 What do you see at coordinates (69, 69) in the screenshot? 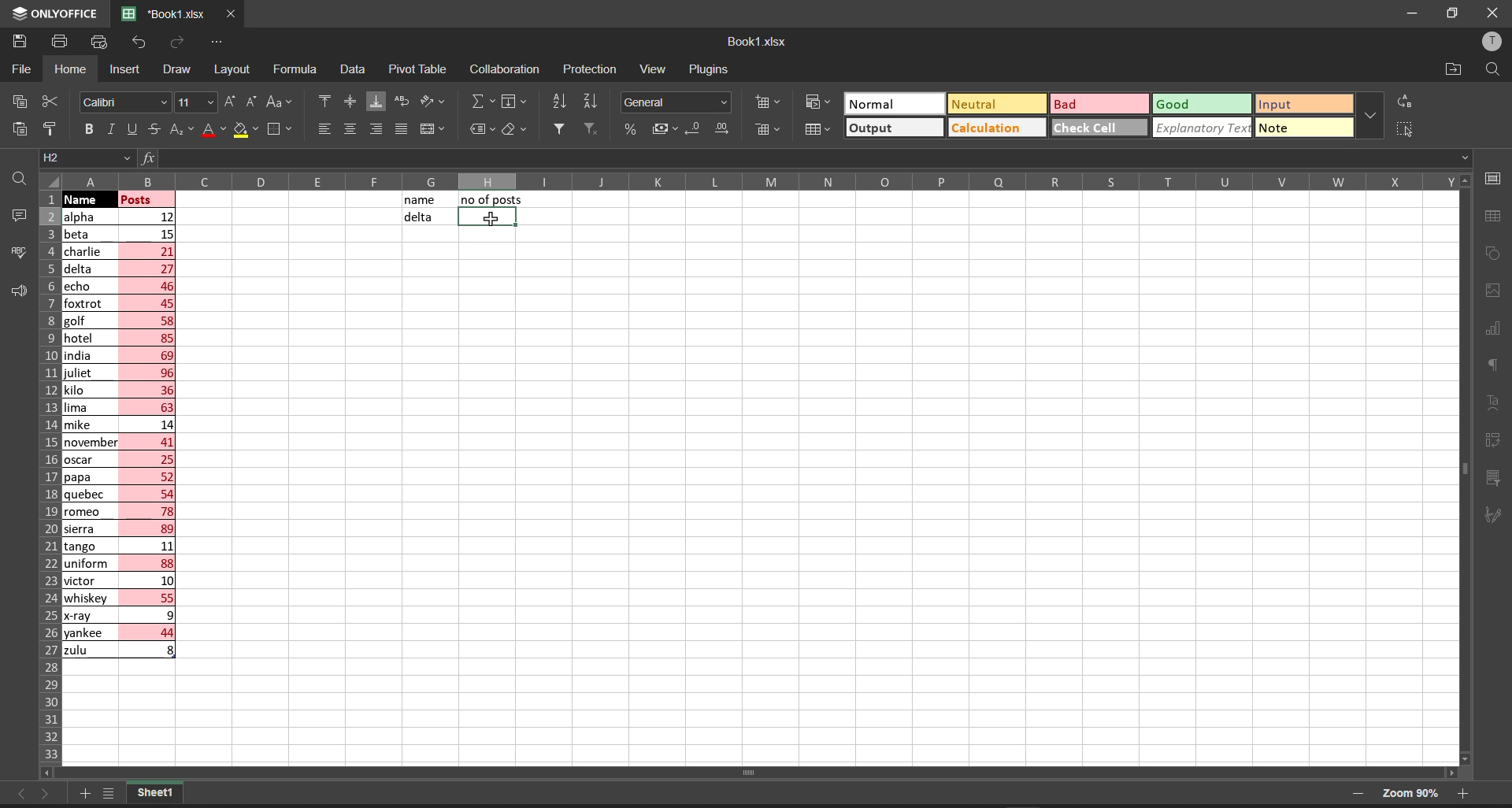
I see `homw` at bounding box center [69, 69].